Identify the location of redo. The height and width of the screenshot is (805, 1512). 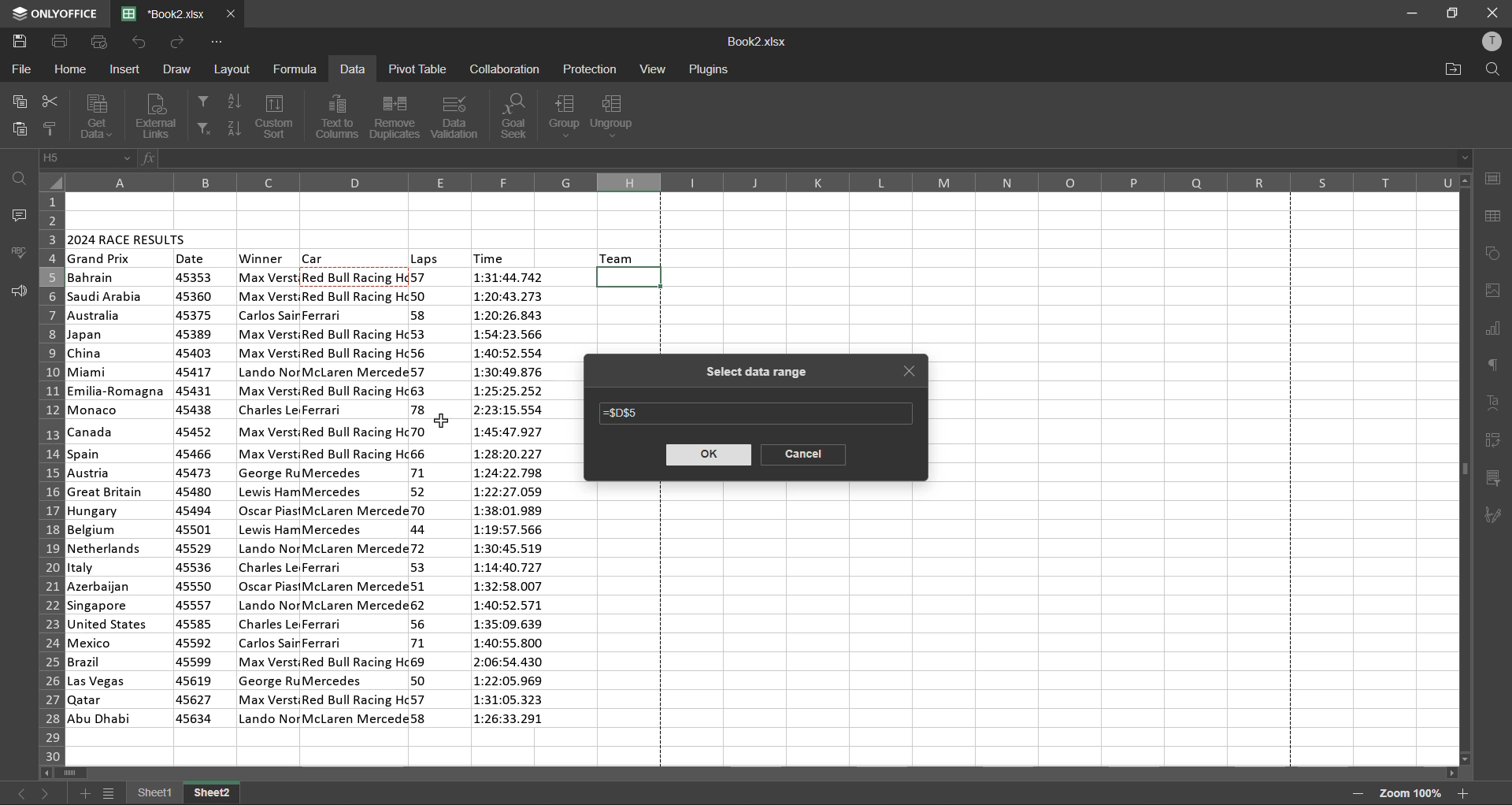
(179, 42).